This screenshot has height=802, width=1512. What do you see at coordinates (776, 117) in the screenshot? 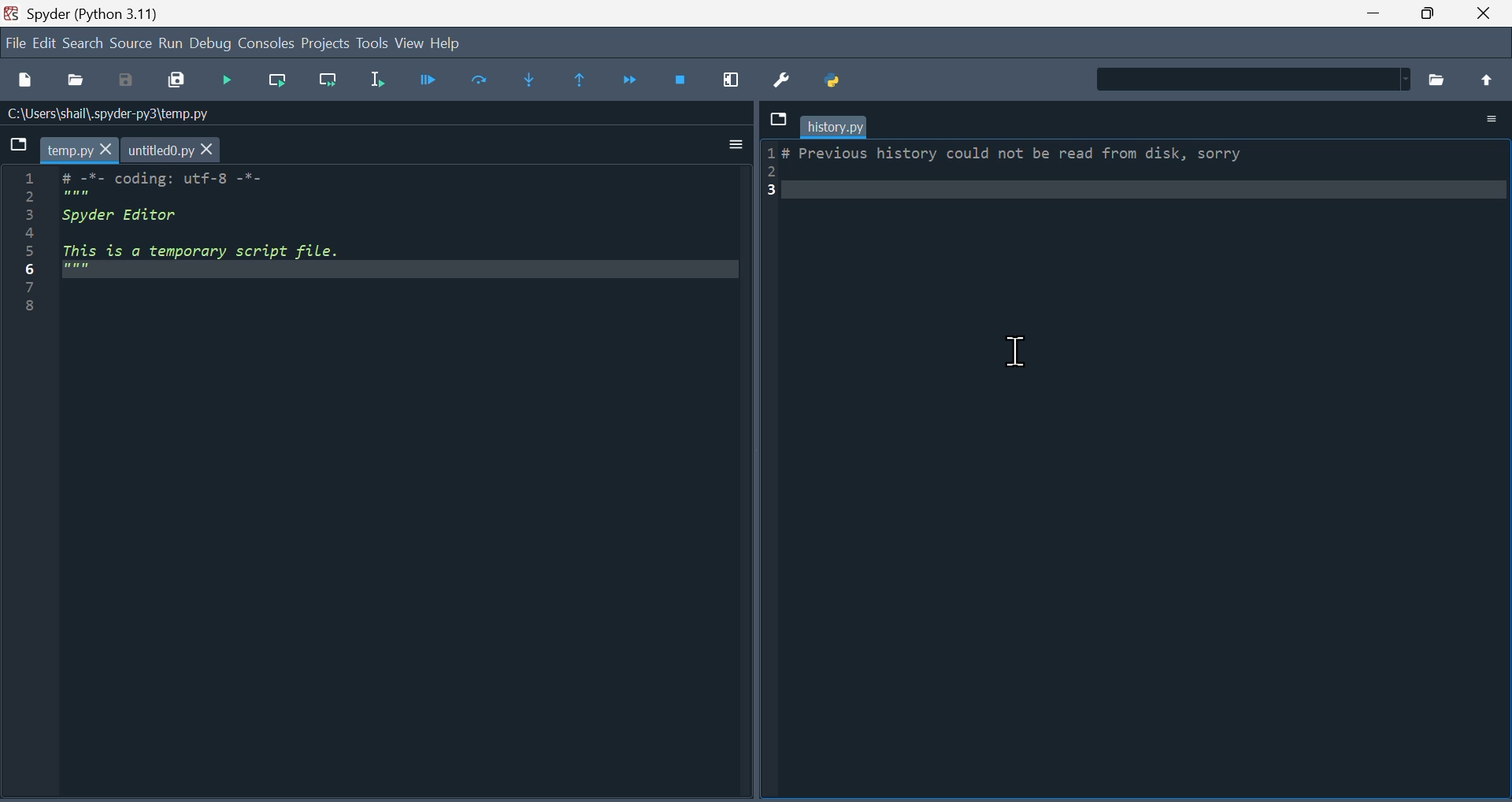
I see `Dropdown` at bounding box center [776, 117].